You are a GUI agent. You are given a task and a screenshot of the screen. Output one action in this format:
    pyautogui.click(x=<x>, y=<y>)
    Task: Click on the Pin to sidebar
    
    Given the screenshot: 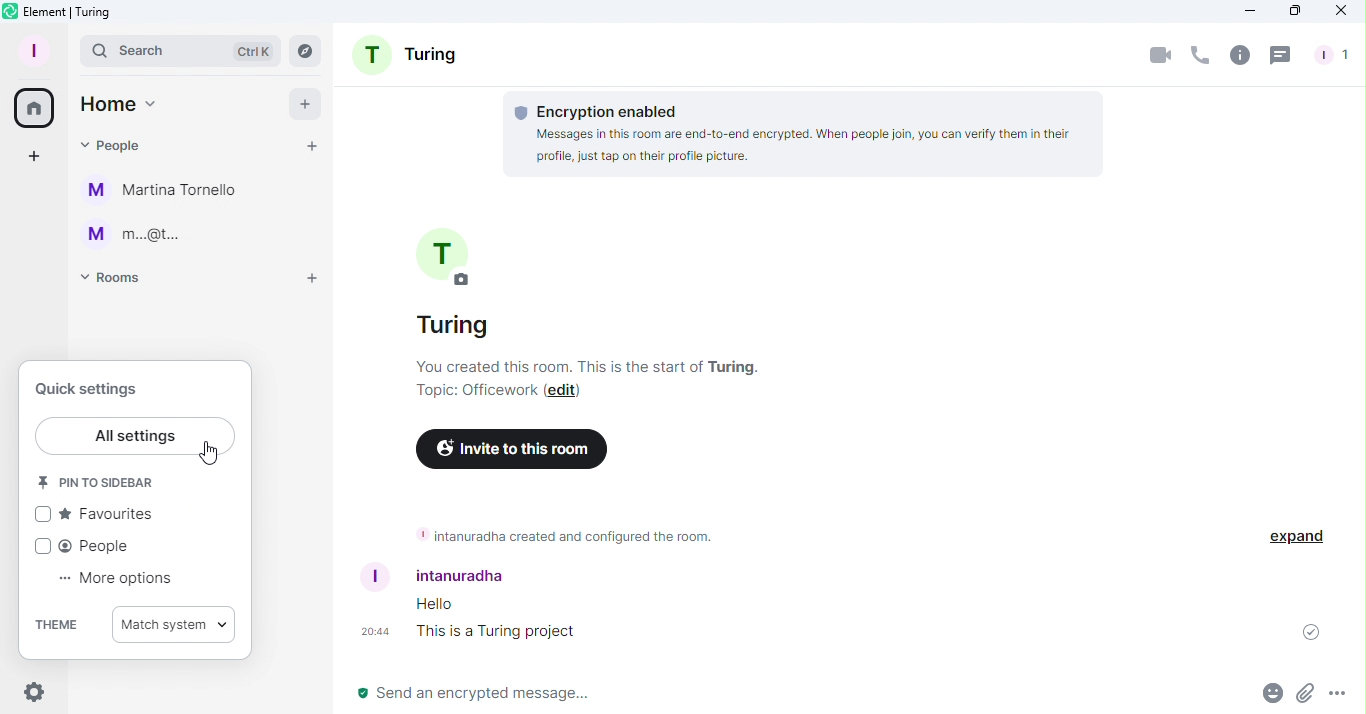 What is the action you would take?
    pyautogui.click(x=116, y=482)
    